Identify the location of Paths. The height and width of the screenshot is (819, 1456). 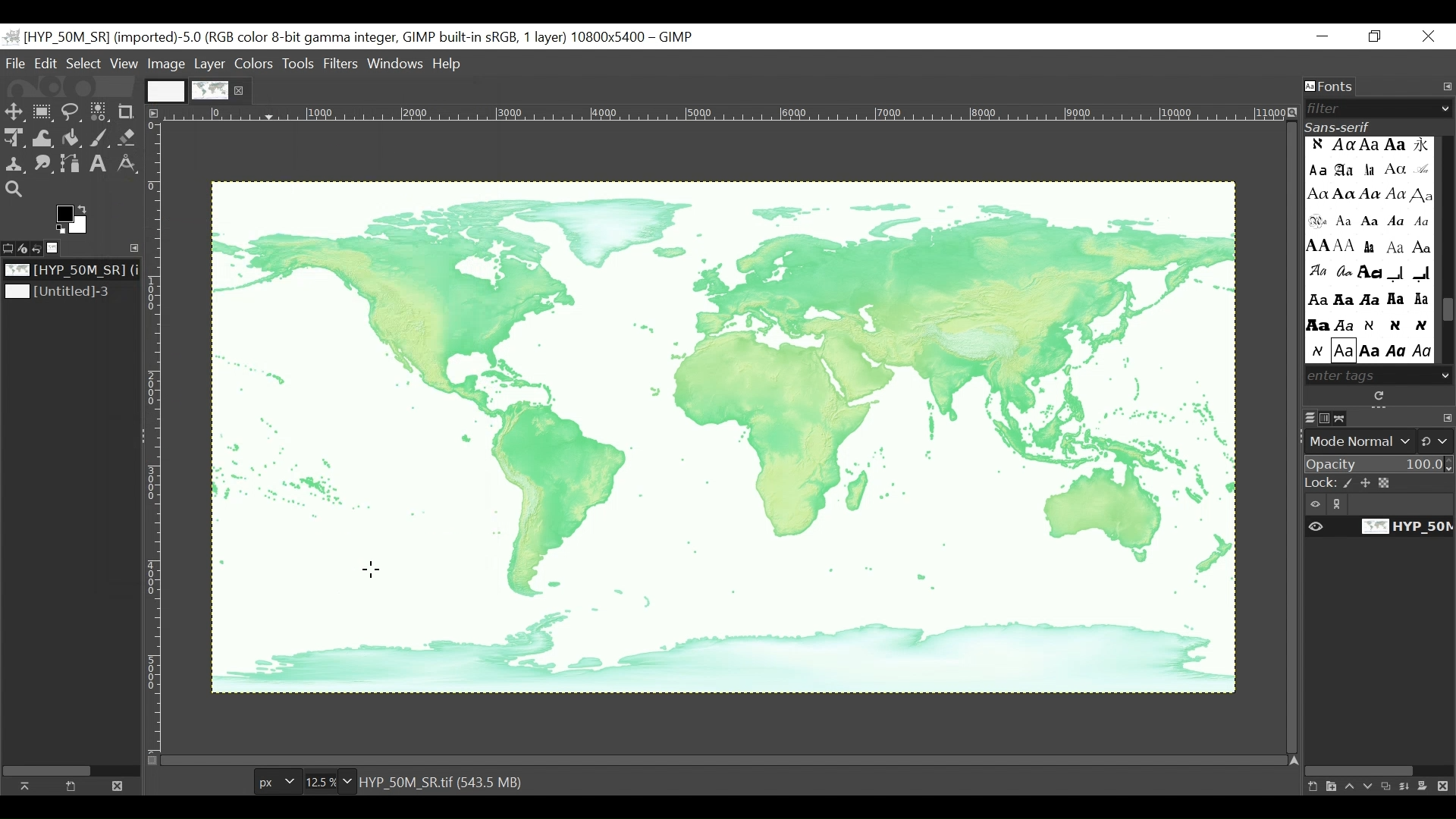
(1345, 418).